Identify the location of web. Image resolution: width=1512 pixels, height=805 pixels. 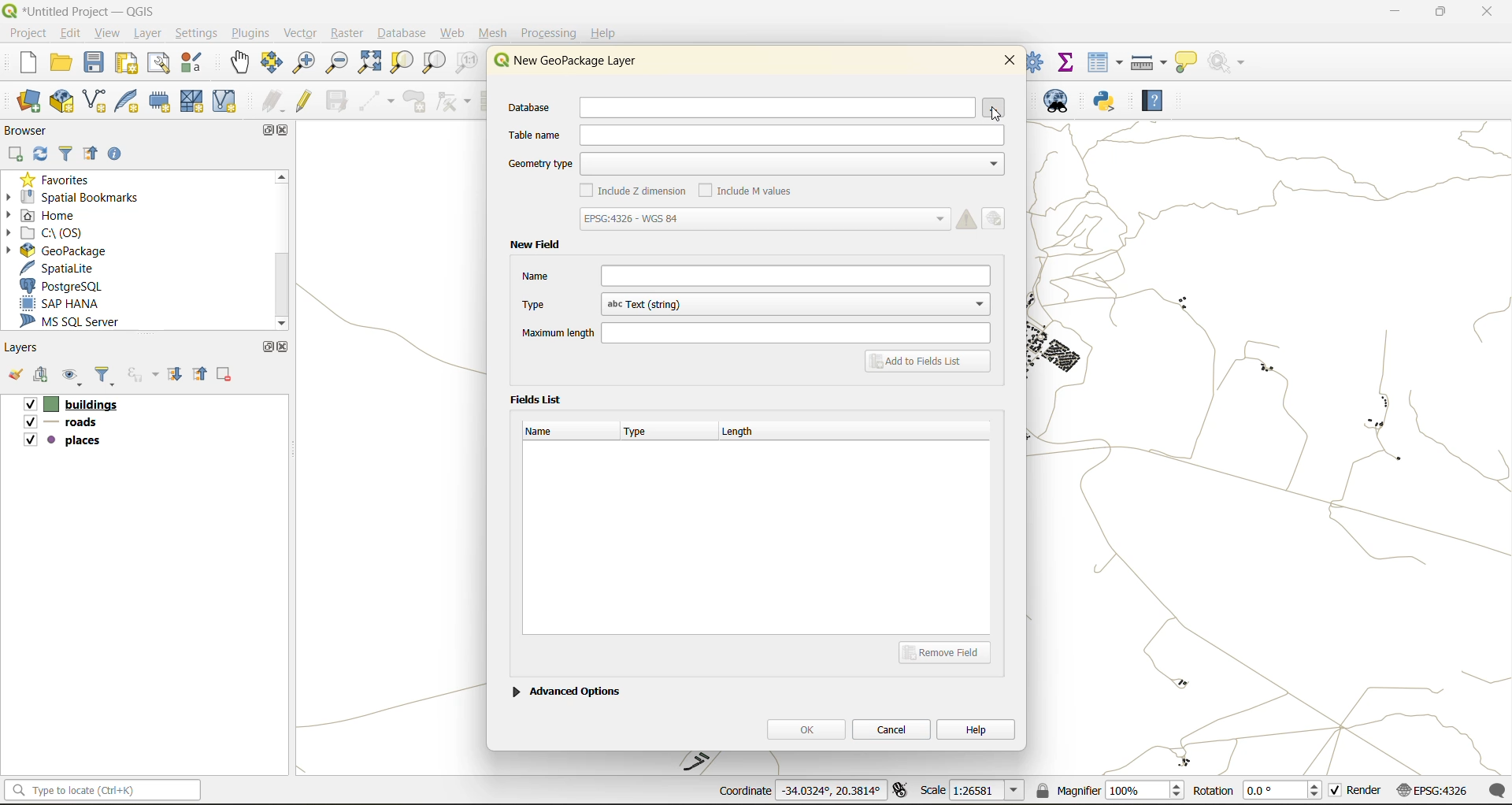
(454, 33).